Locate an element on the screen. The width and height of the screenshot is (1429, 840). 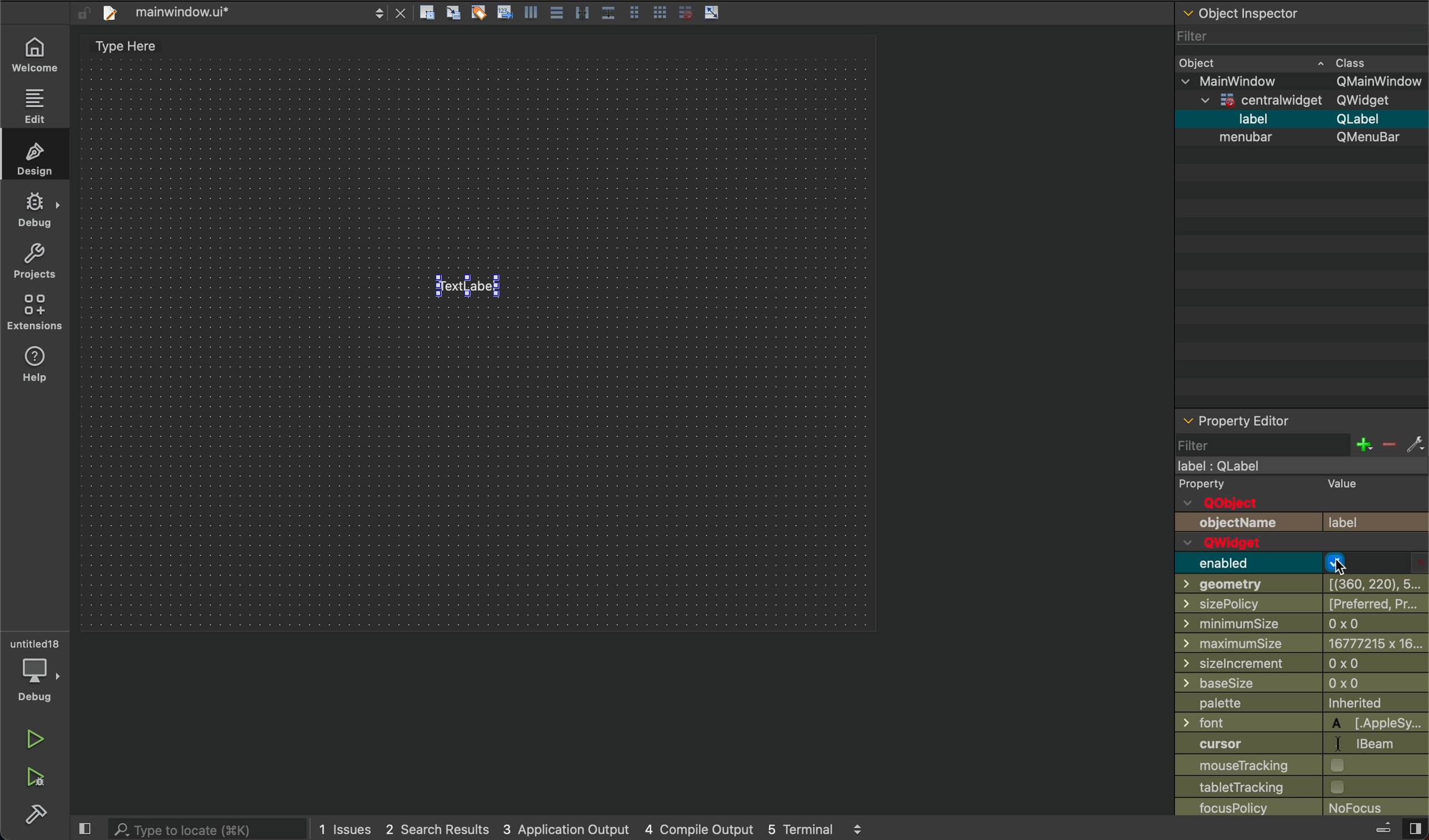
fix is located at coordinates (1418, 444).